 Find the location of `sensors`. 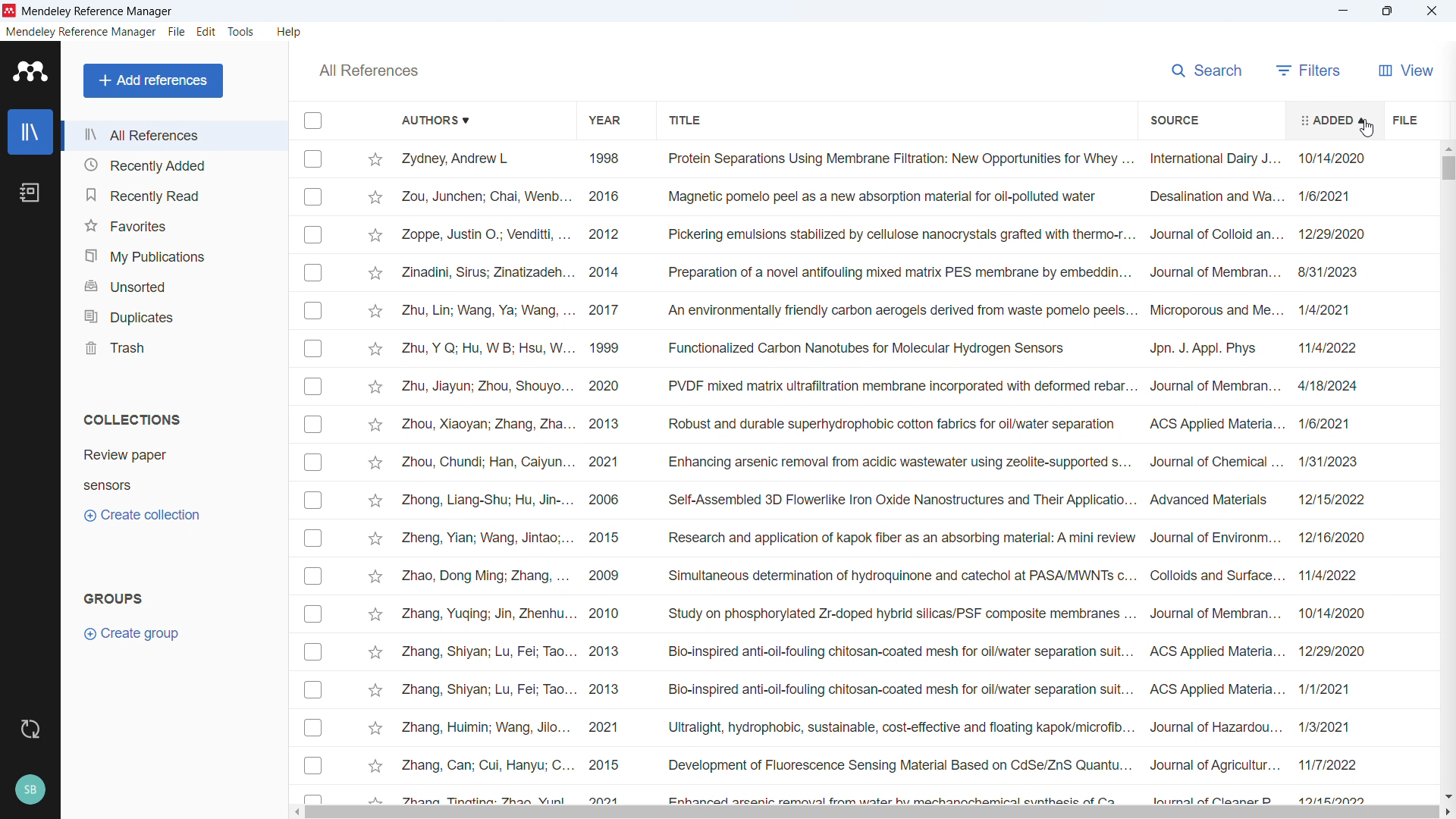

sensors is located at coordinates (108, 485).